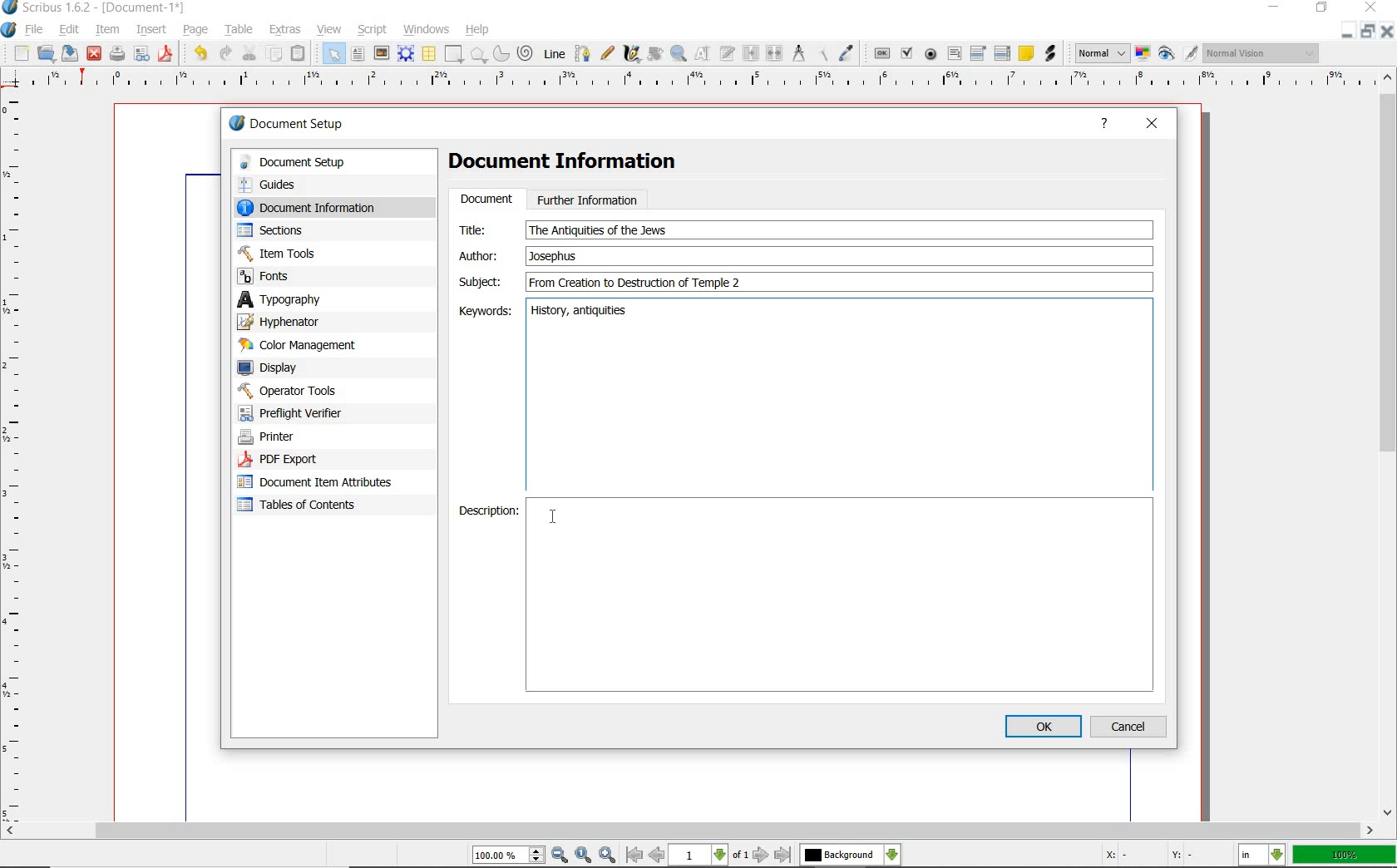 The image size is (1397, 868). Describe the element at coordinates (454, 53) in the screenshot. I see `shape` at that location.